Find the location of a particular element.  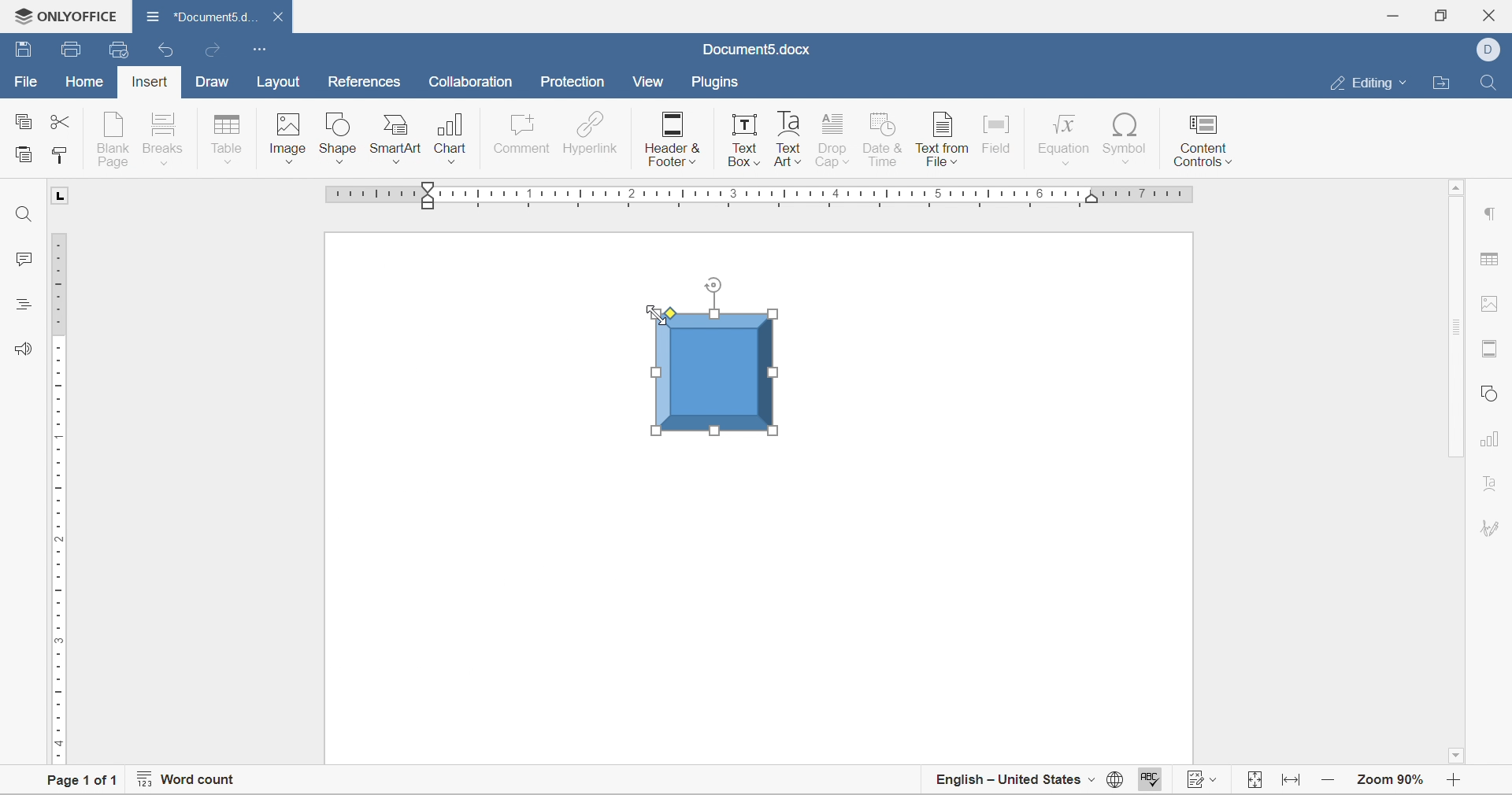

text from field is located at coordinates (943, 139).